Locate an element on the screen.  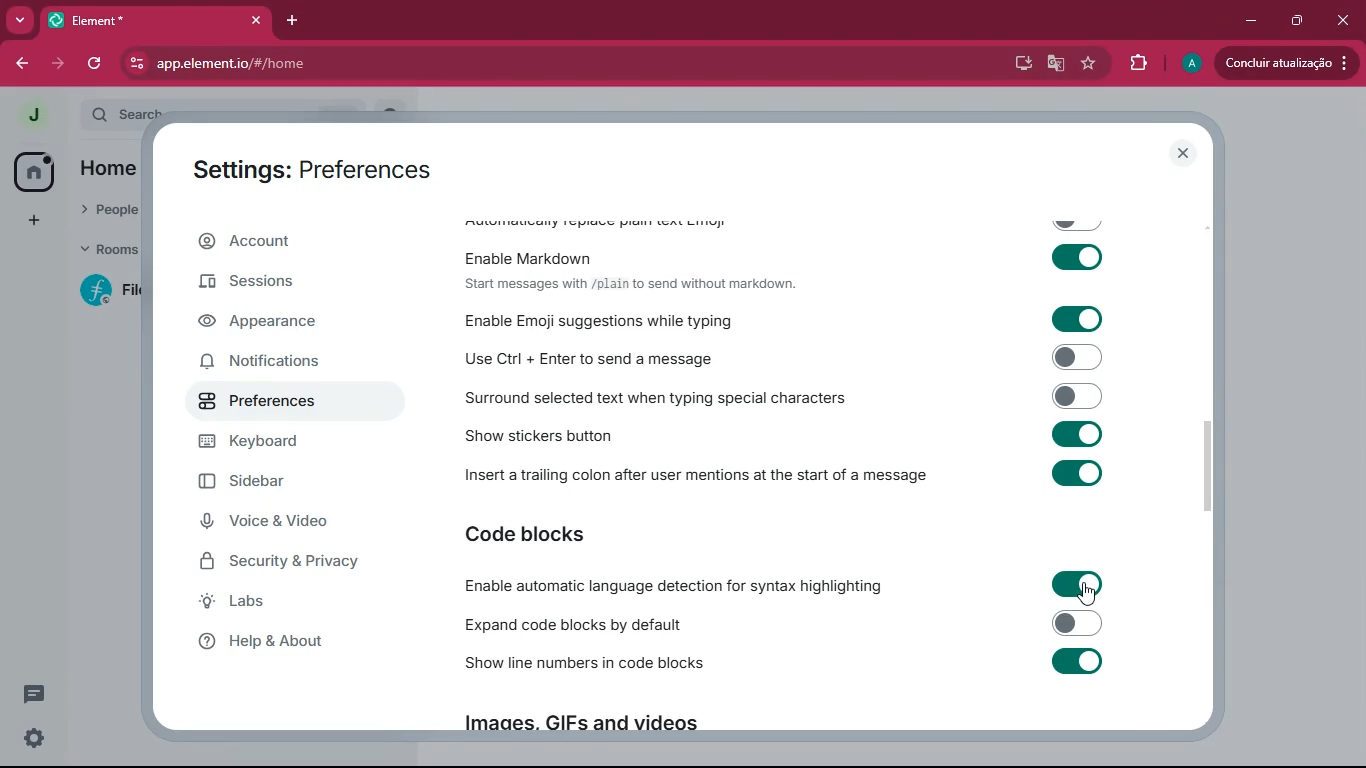
more is located at coordinates (20, 19).